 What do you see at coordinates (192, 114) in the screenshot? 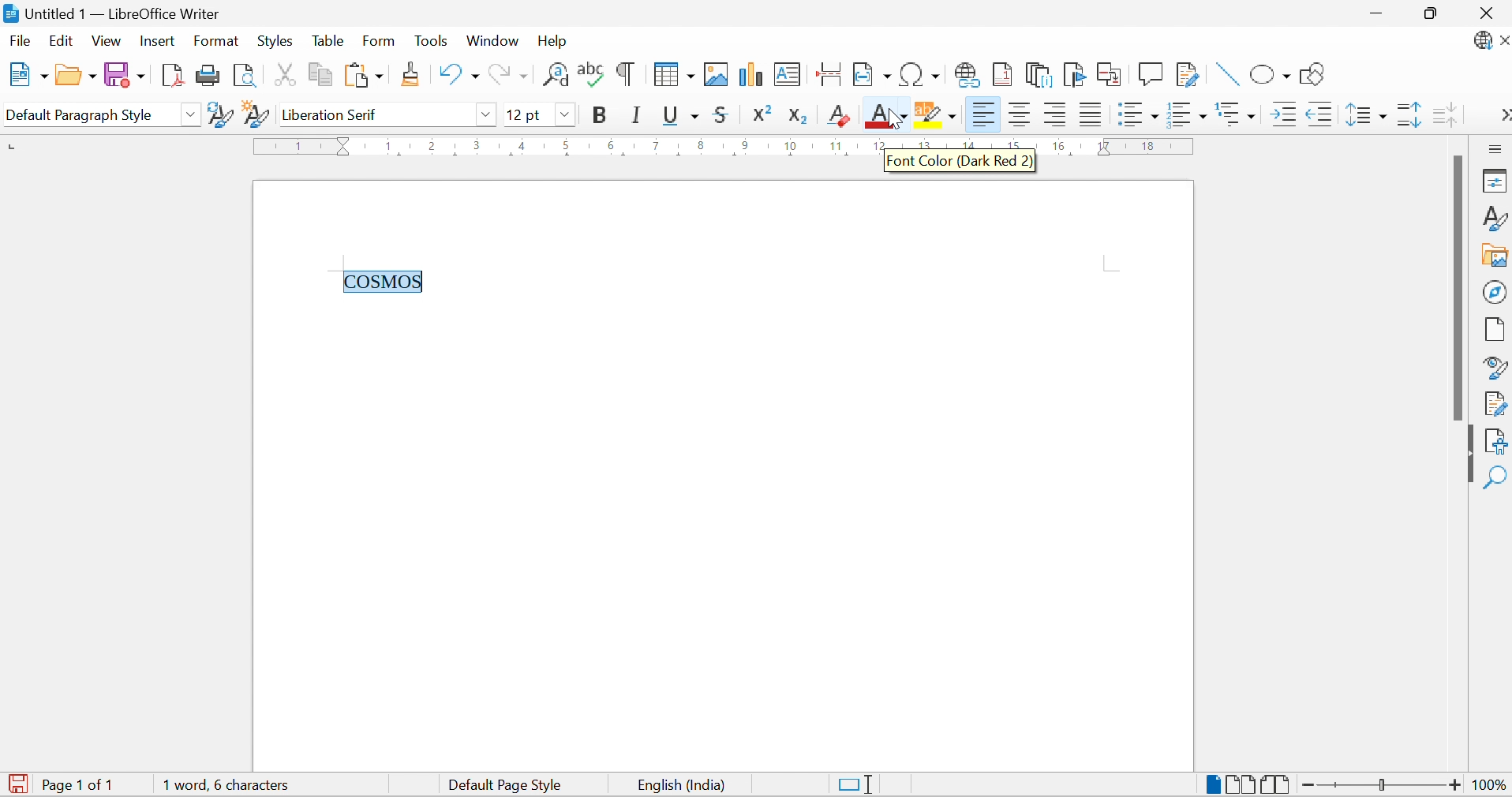
I see `Drop Down` at bounding box center [192, 114].